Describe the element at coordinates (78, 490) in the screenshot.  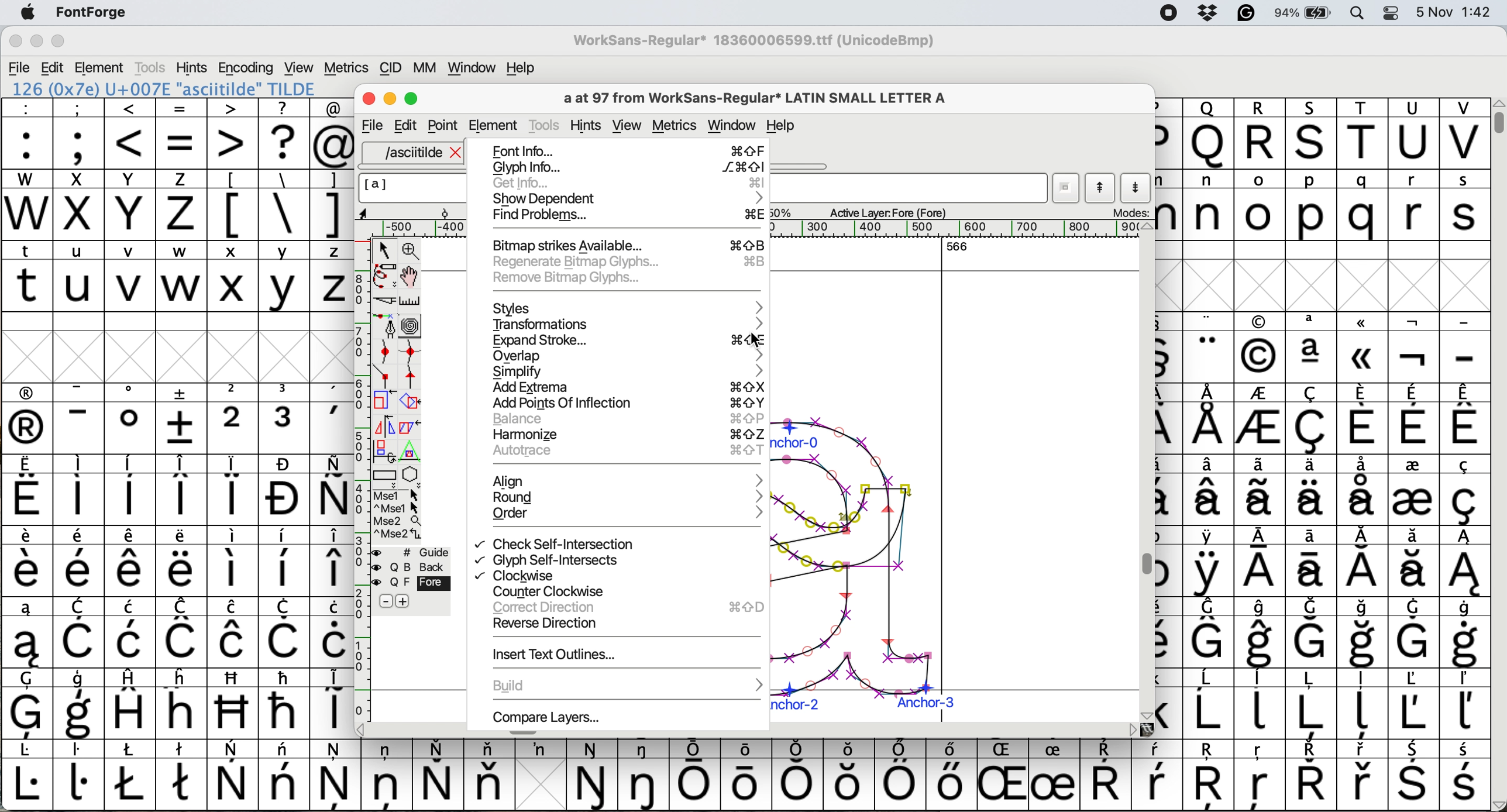
I see `symbol` at that location.